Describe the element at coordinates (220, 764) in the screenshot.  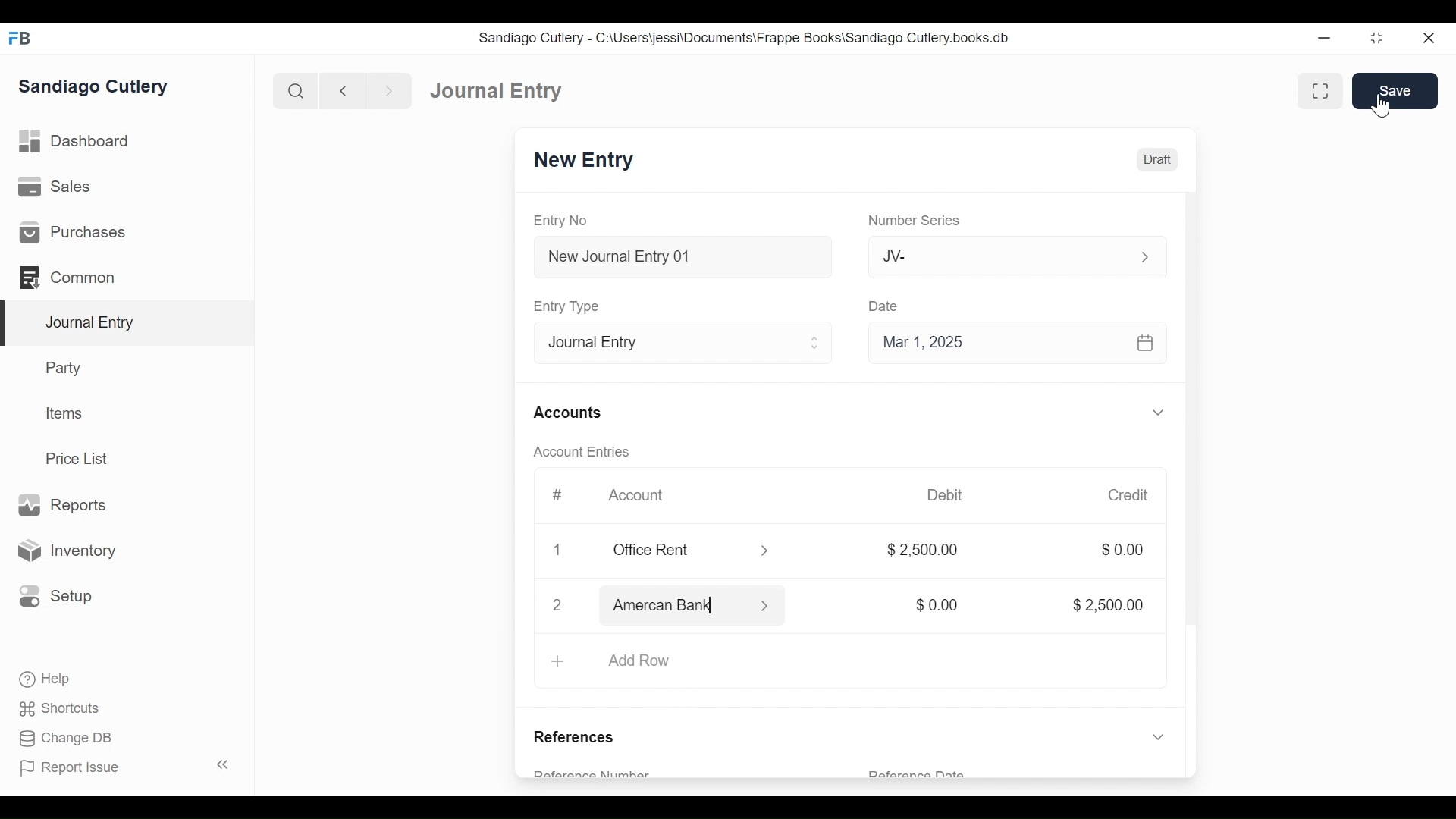
I see `collapse sidebar` at that location.